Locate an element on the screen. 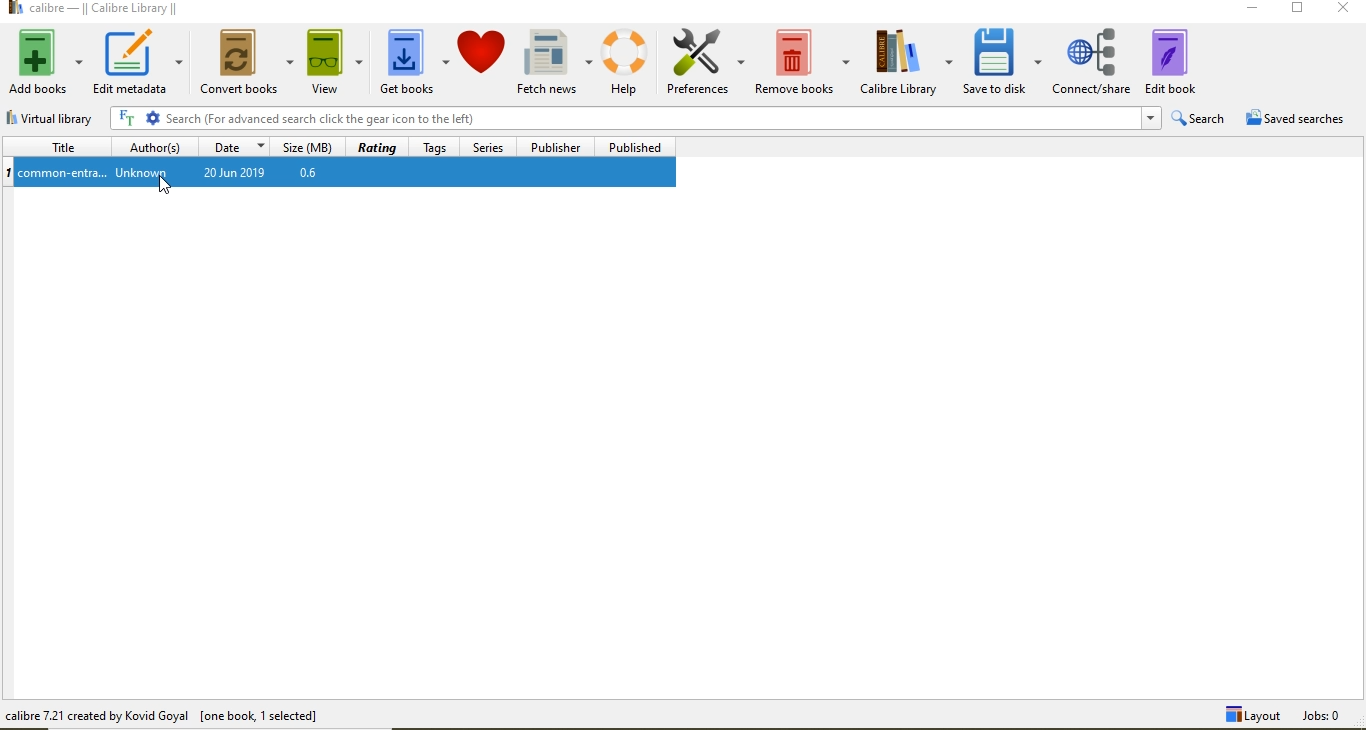  0.6 is located at coordinates (318, 174).